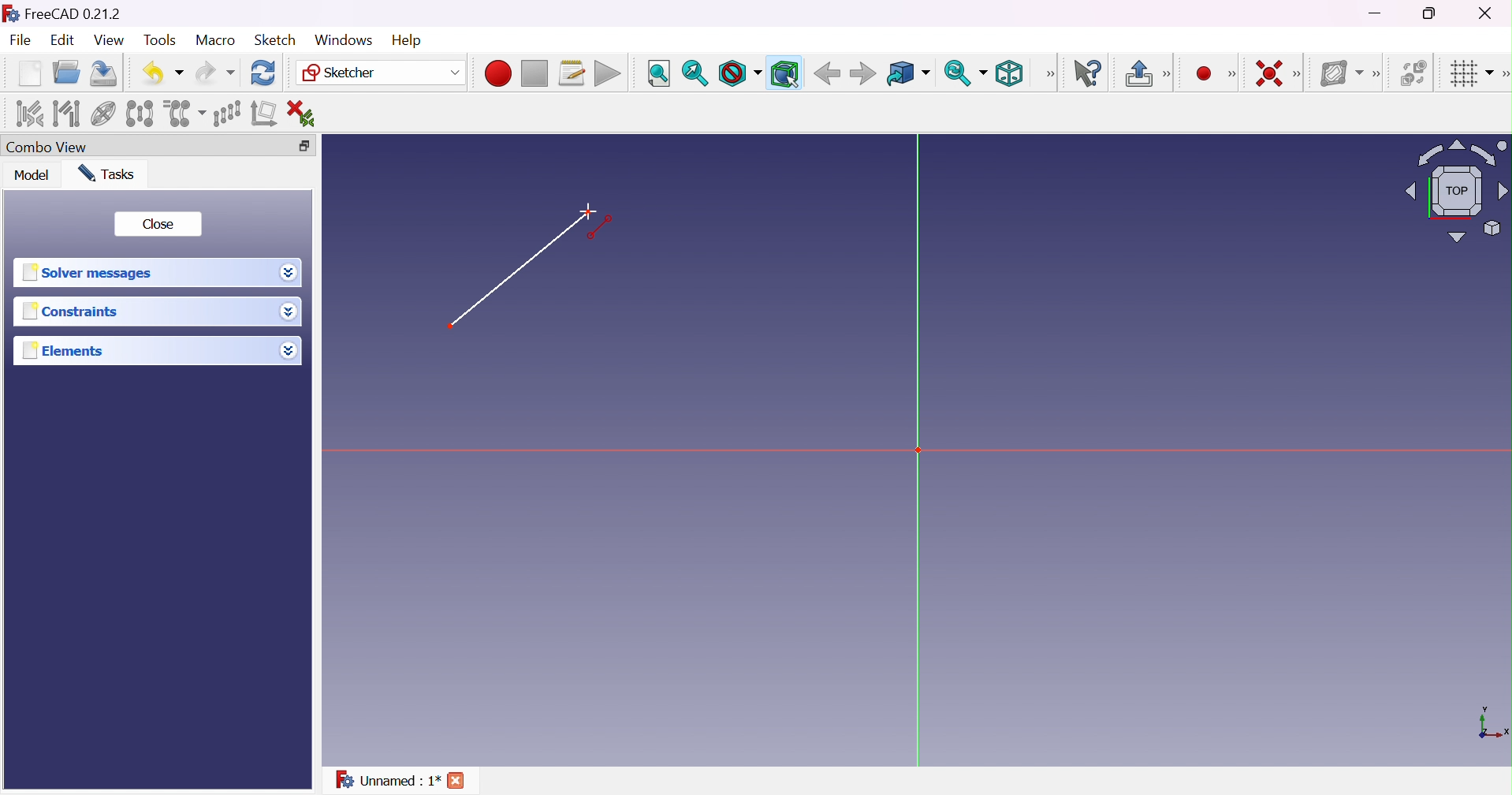  Describe the element at coordinates (505, 272) in the screenshot. I see `2D Line` at that location.